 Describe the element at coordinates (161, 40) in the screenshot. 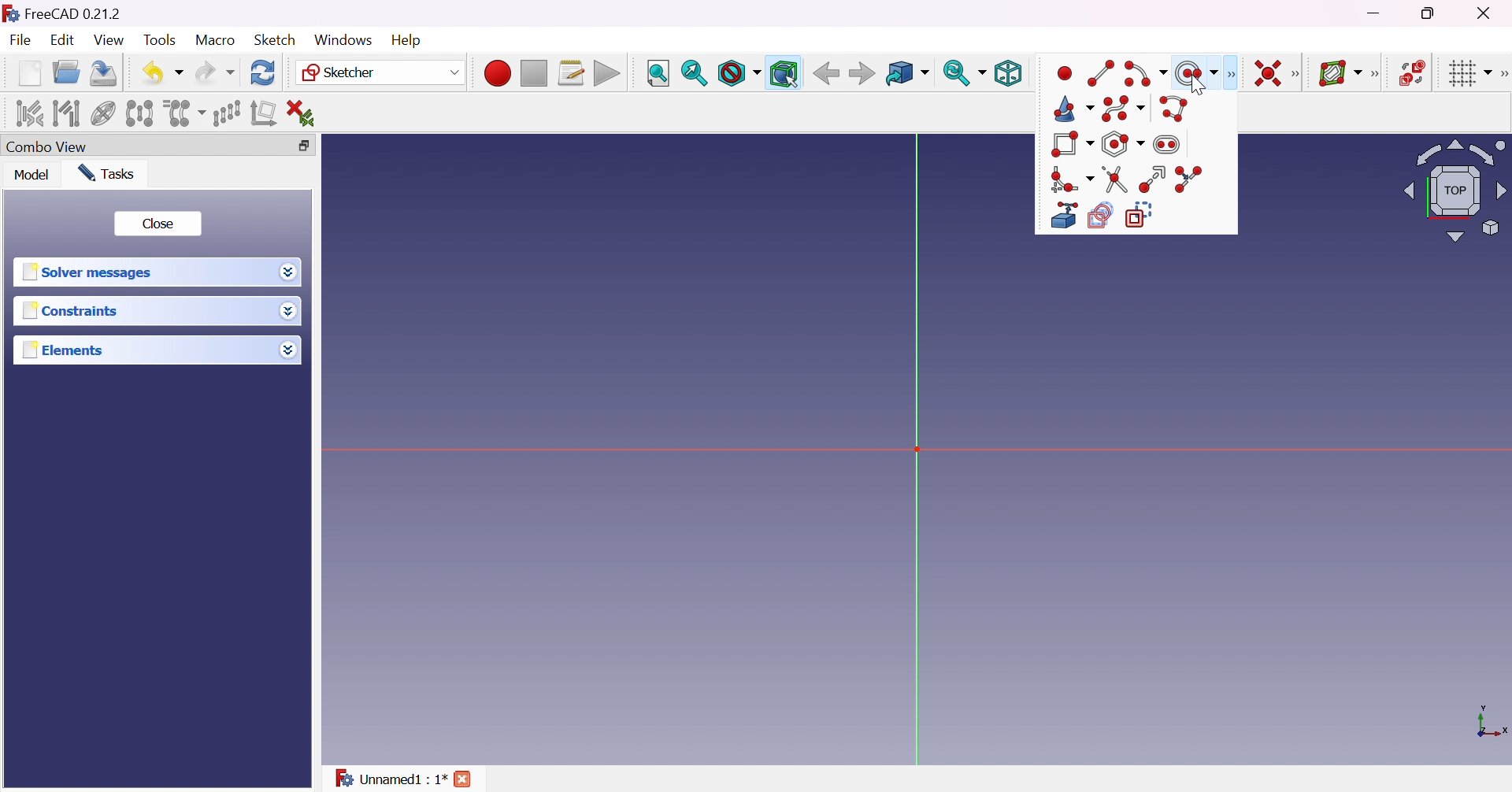

I see `Tools` at that location.